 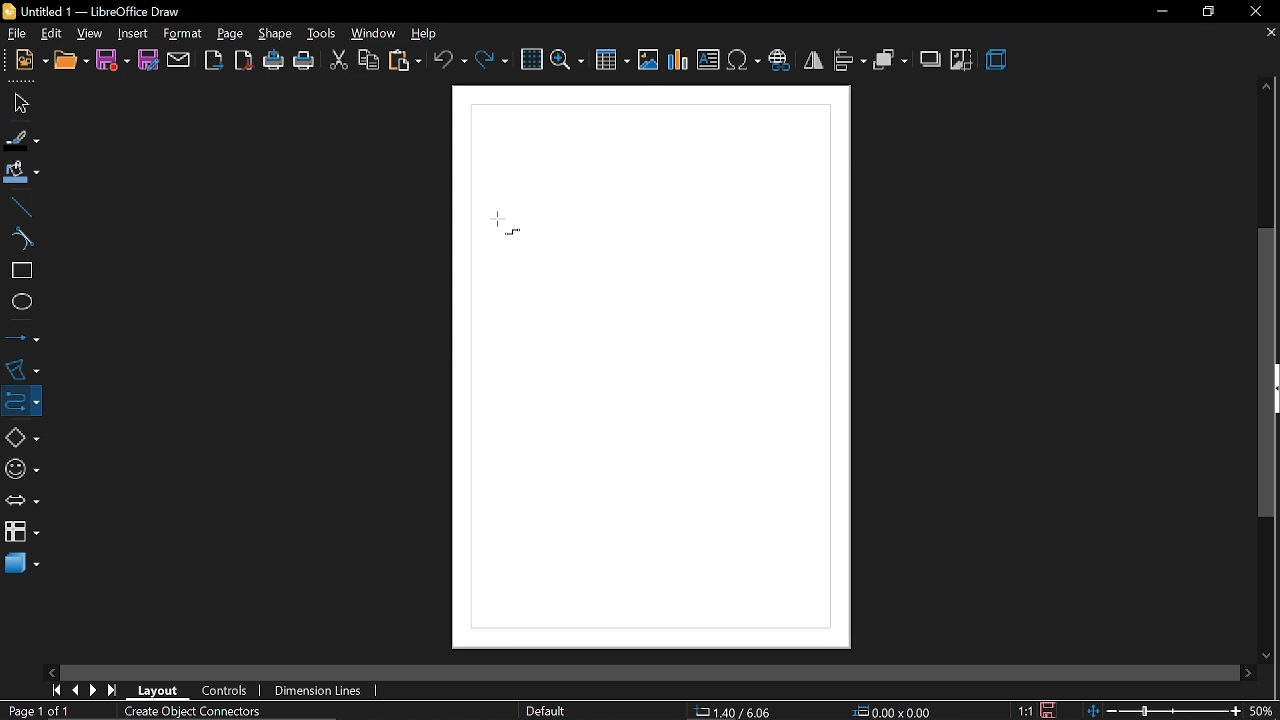 What do you see at coordinates (13, 33) in the screenshot?
I see `file` at bounding box center [13, 33].